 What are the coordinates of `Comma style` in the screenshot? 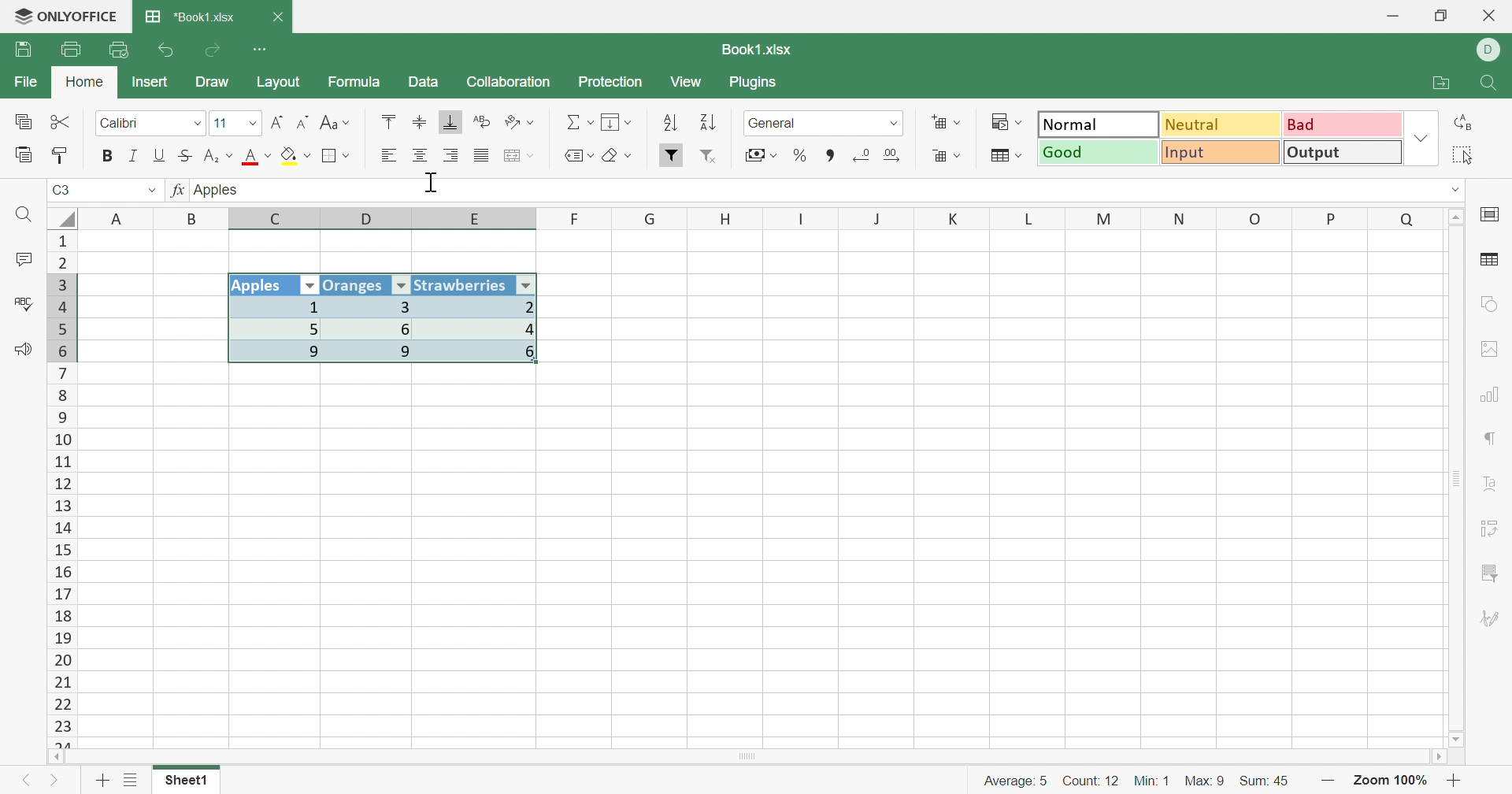 It's located at (831, 154).